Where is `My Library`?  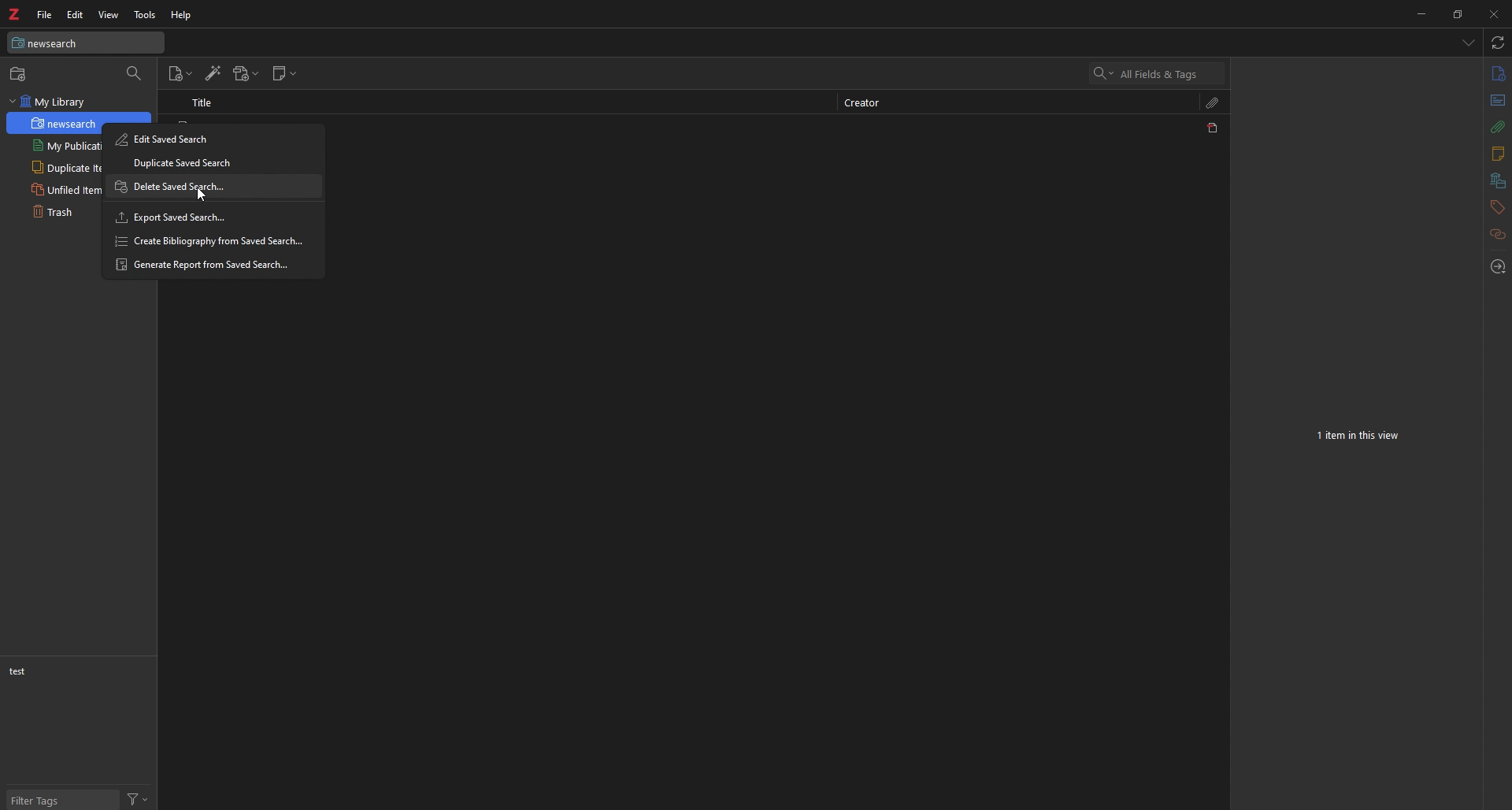 My Library is located at coordinates (87, 42).